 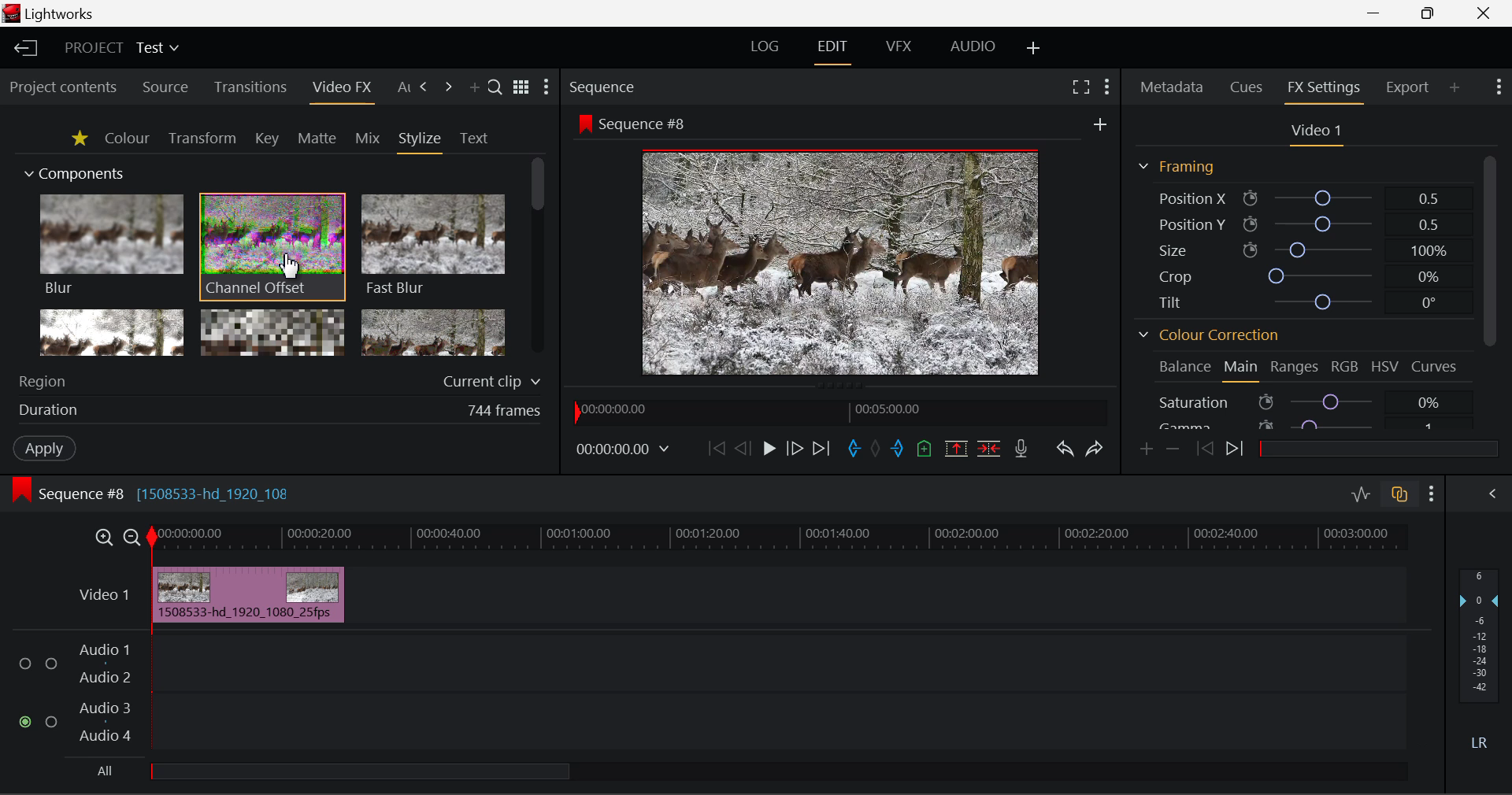 I want to click on Apply, so click(x=46, y=449).